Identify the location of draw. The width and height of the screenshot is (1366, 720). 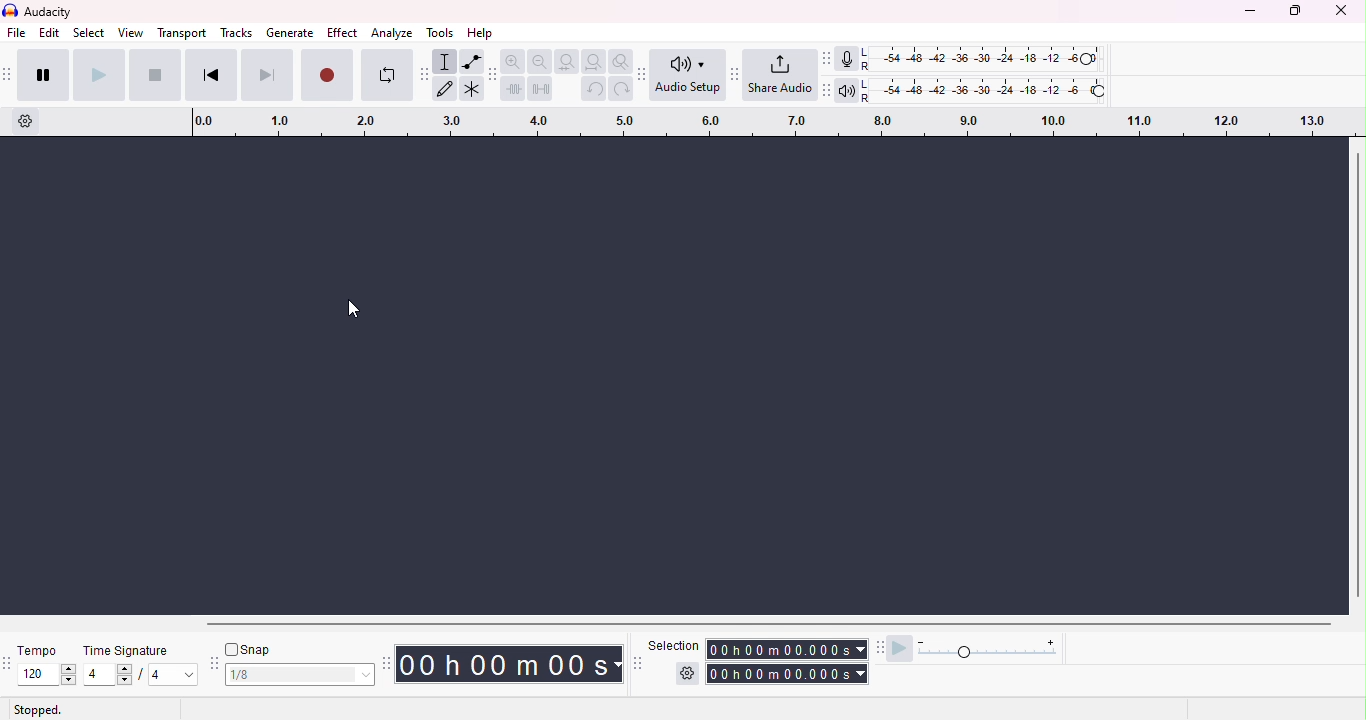
(447, 88).